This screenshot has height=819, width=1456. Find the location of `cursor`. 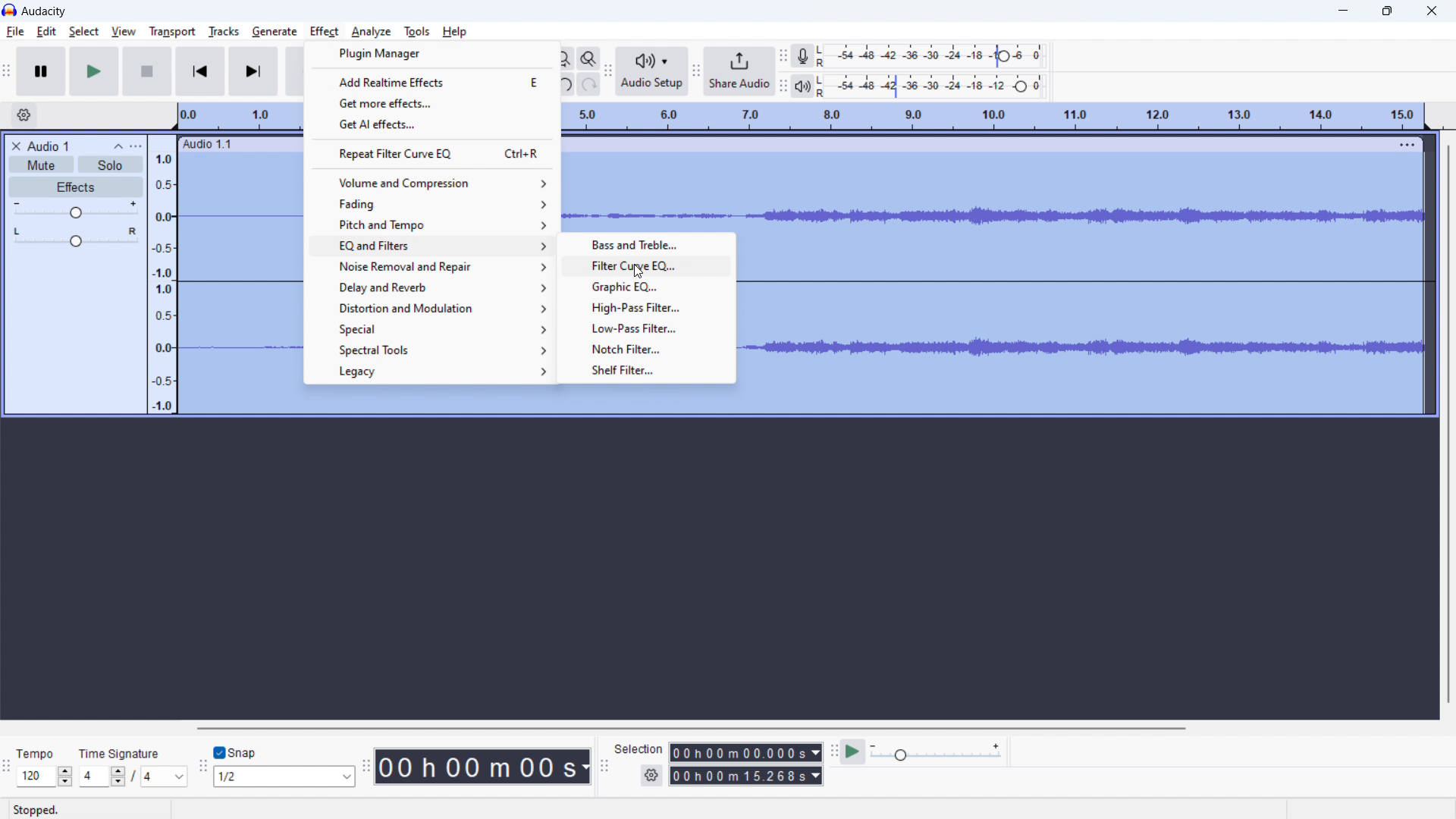

cursor is located at coordinates (639, 274).